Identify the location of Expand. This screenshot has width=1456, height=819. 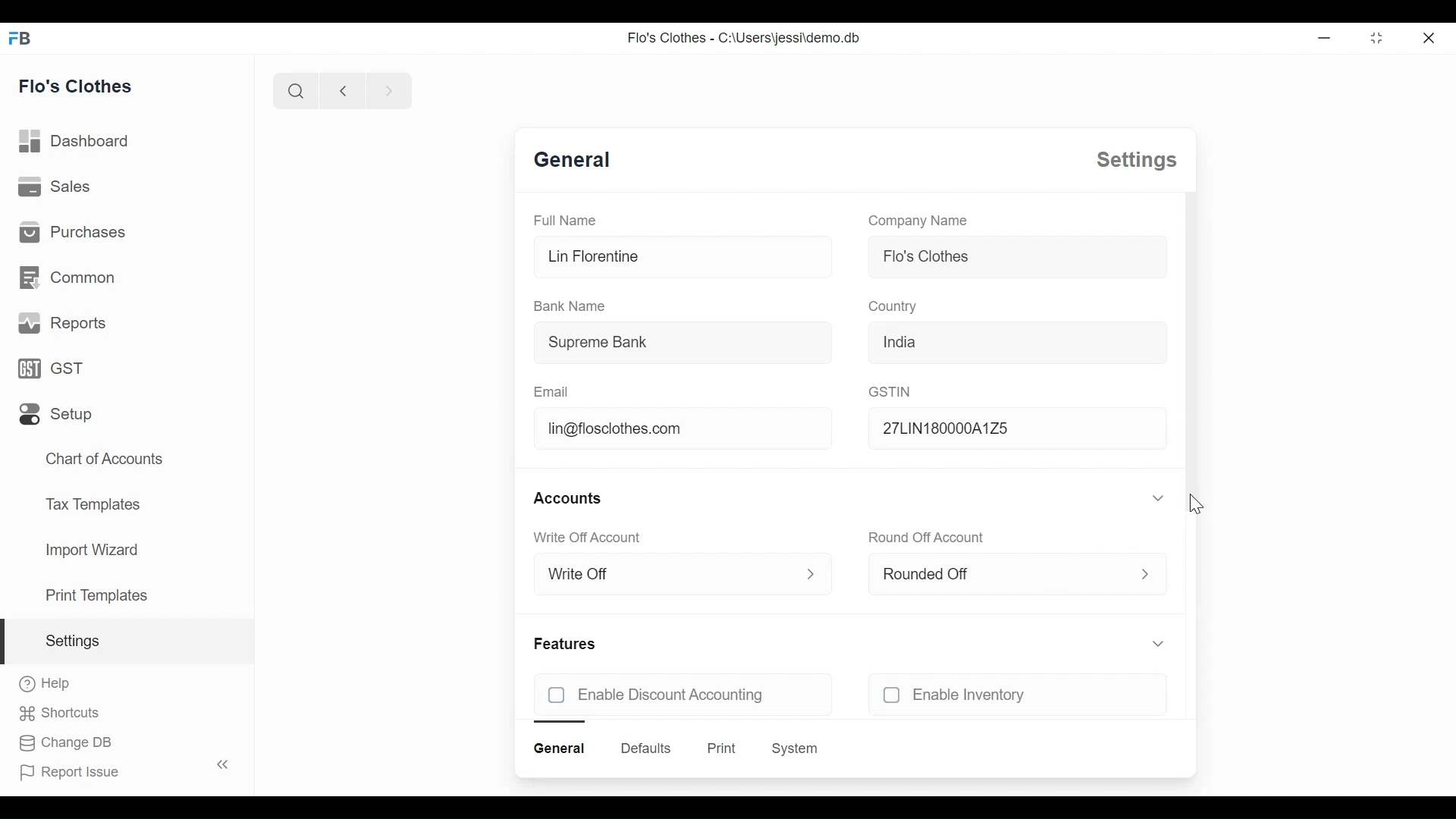
(1160, 498).